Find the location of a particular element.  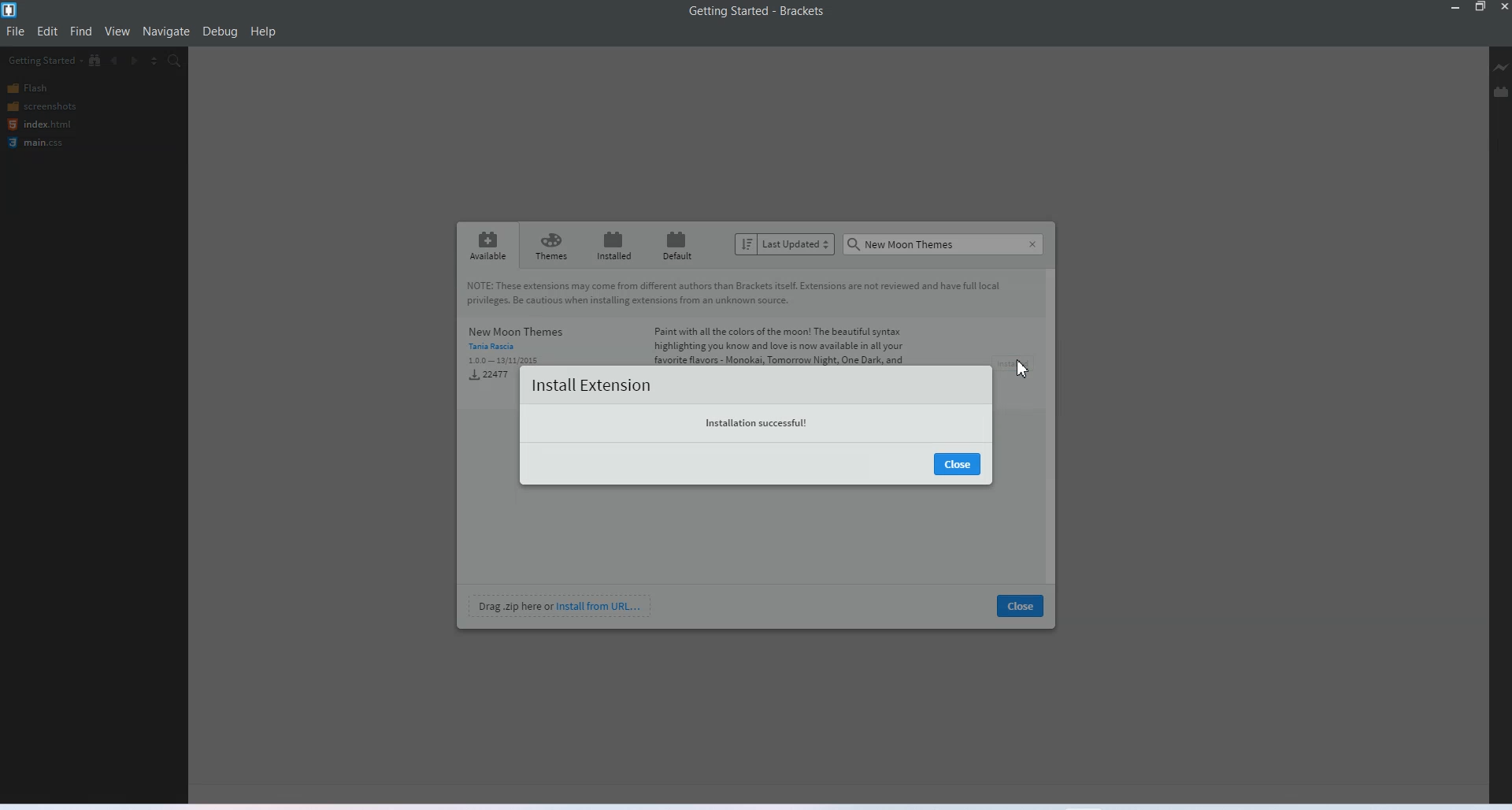

Navigate forward is located at coordinates (135, 60).